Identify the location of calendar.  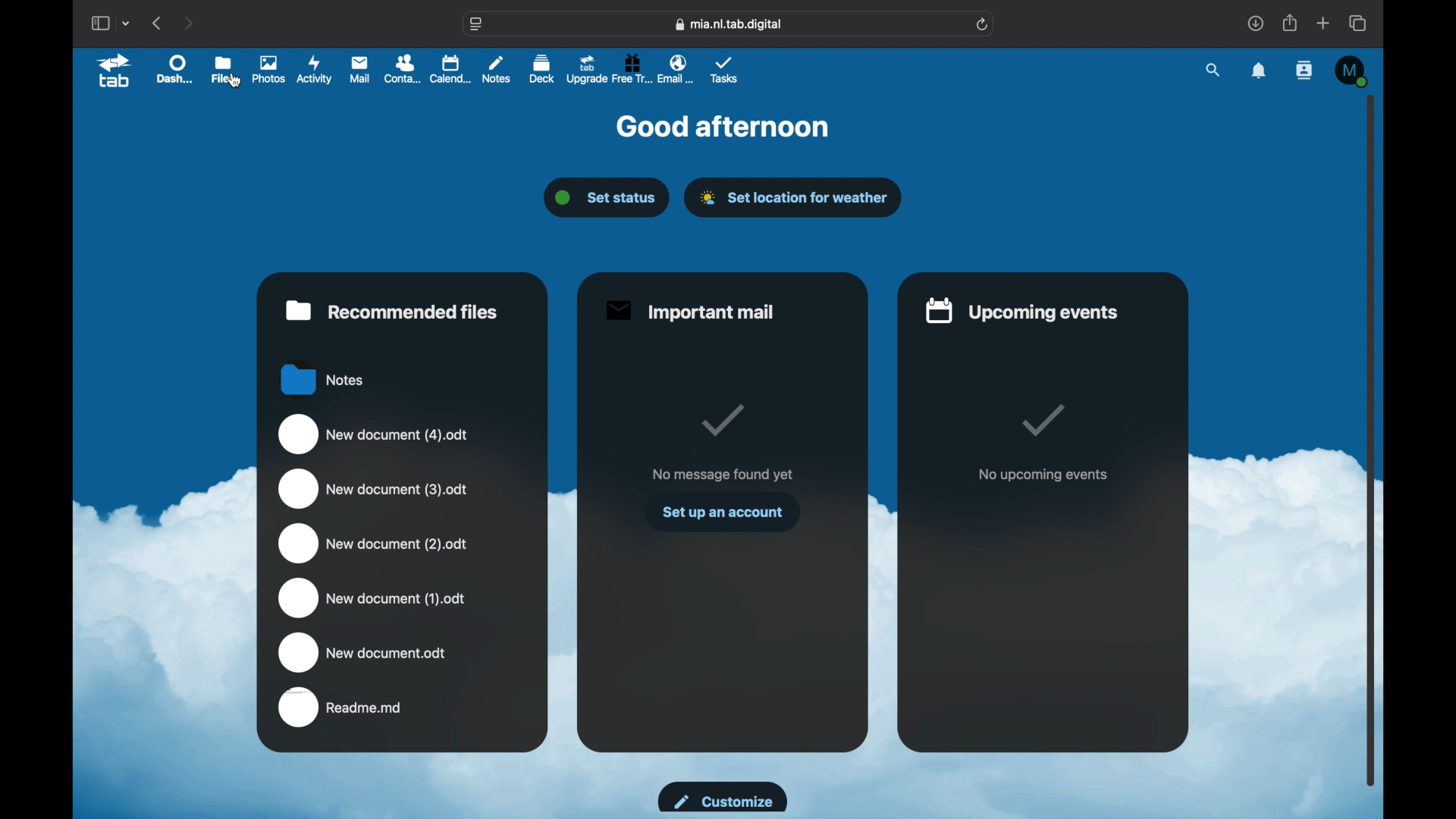
(450, 68).